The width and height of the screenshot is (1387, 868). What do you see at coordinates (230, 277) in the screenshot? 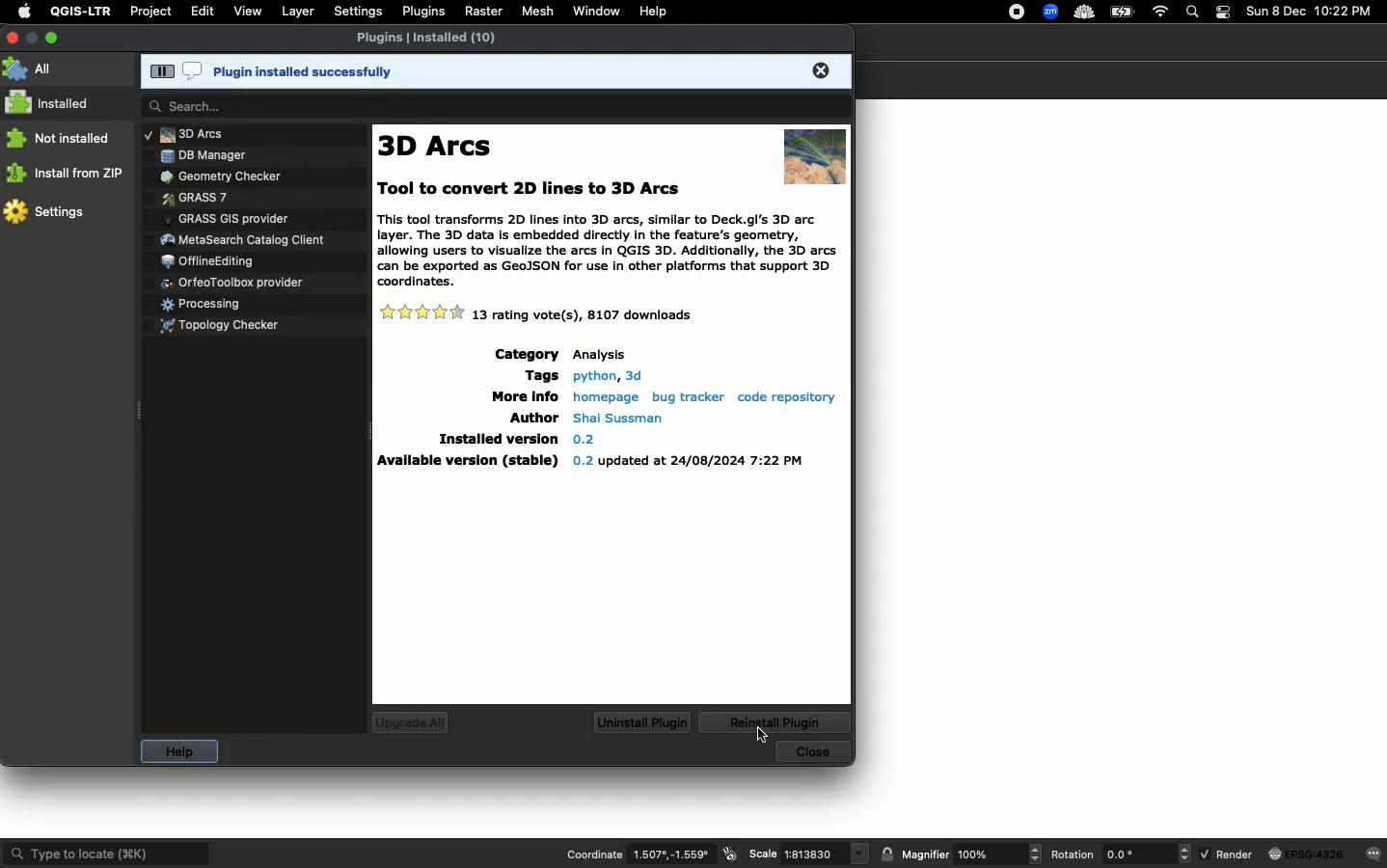
I see `Plugins` at bounding box center [230, 277].